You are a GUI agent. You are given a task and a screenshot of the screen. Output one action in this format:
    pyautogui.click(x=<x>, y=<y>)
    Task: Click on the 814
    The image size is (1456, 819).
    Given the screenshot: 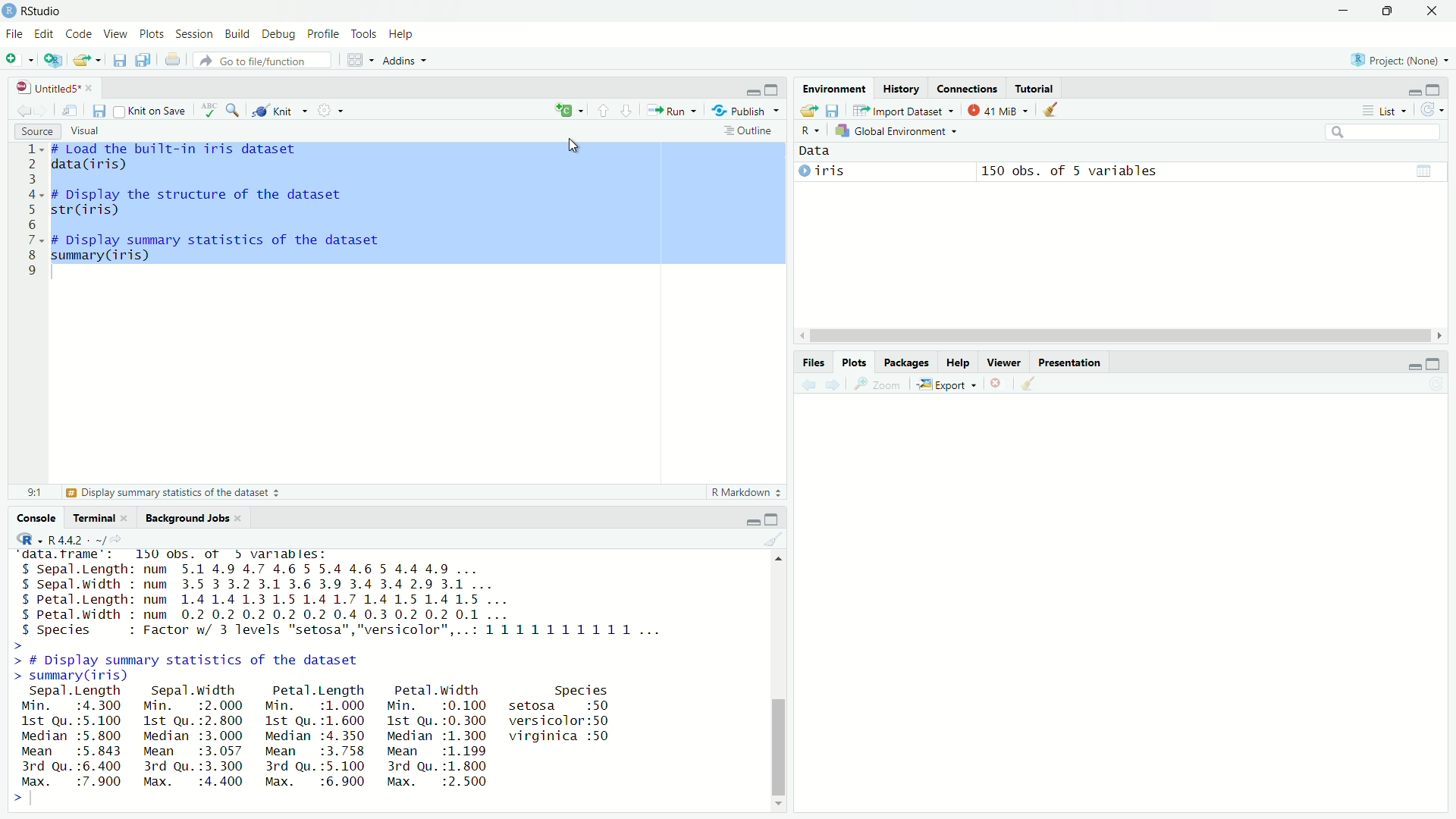 What is the action you would take?
    pyautogui.click(x=36, y=492)
    